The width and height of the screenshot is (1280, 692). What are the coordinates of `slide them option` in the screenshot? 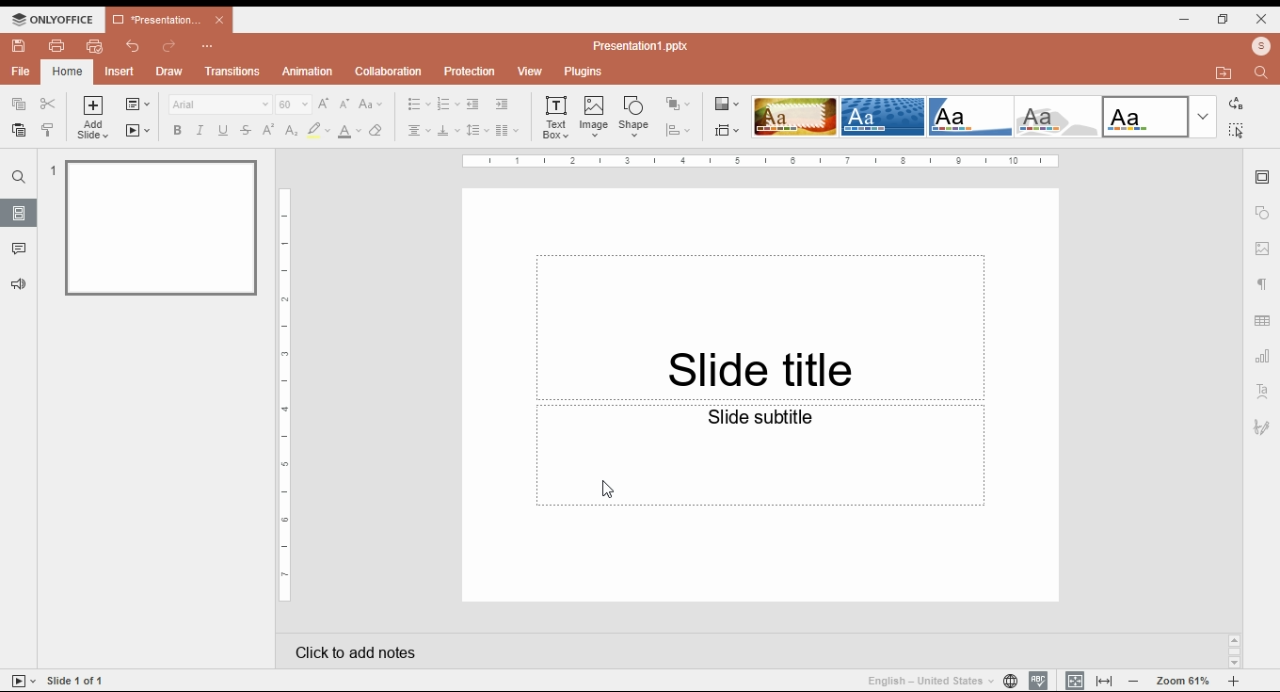 It's located at (972, 116).